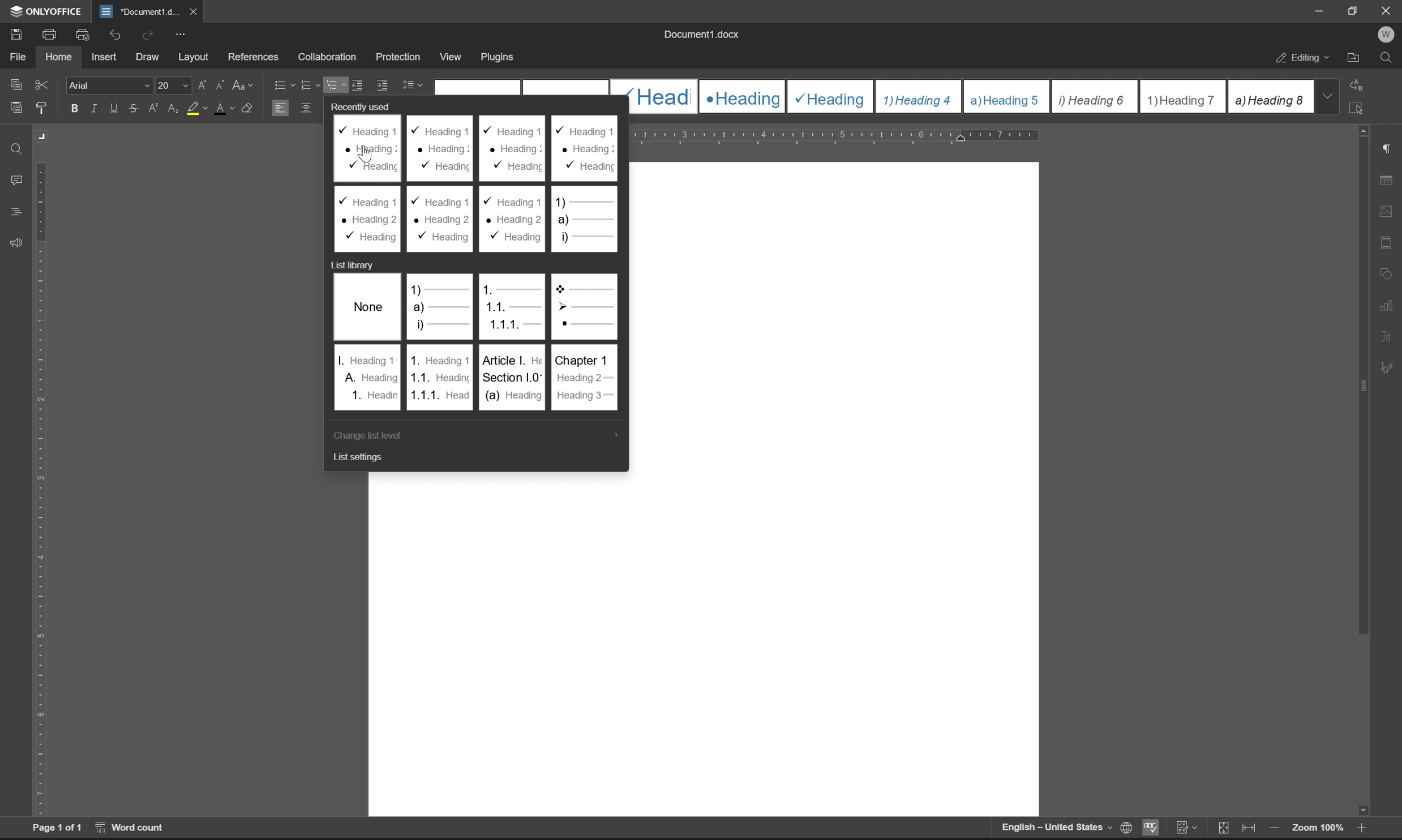 This screenshot has width=1402, height=840. Describe the element at coordinates (17, 57) in the screenshot. I see `file` at that location.